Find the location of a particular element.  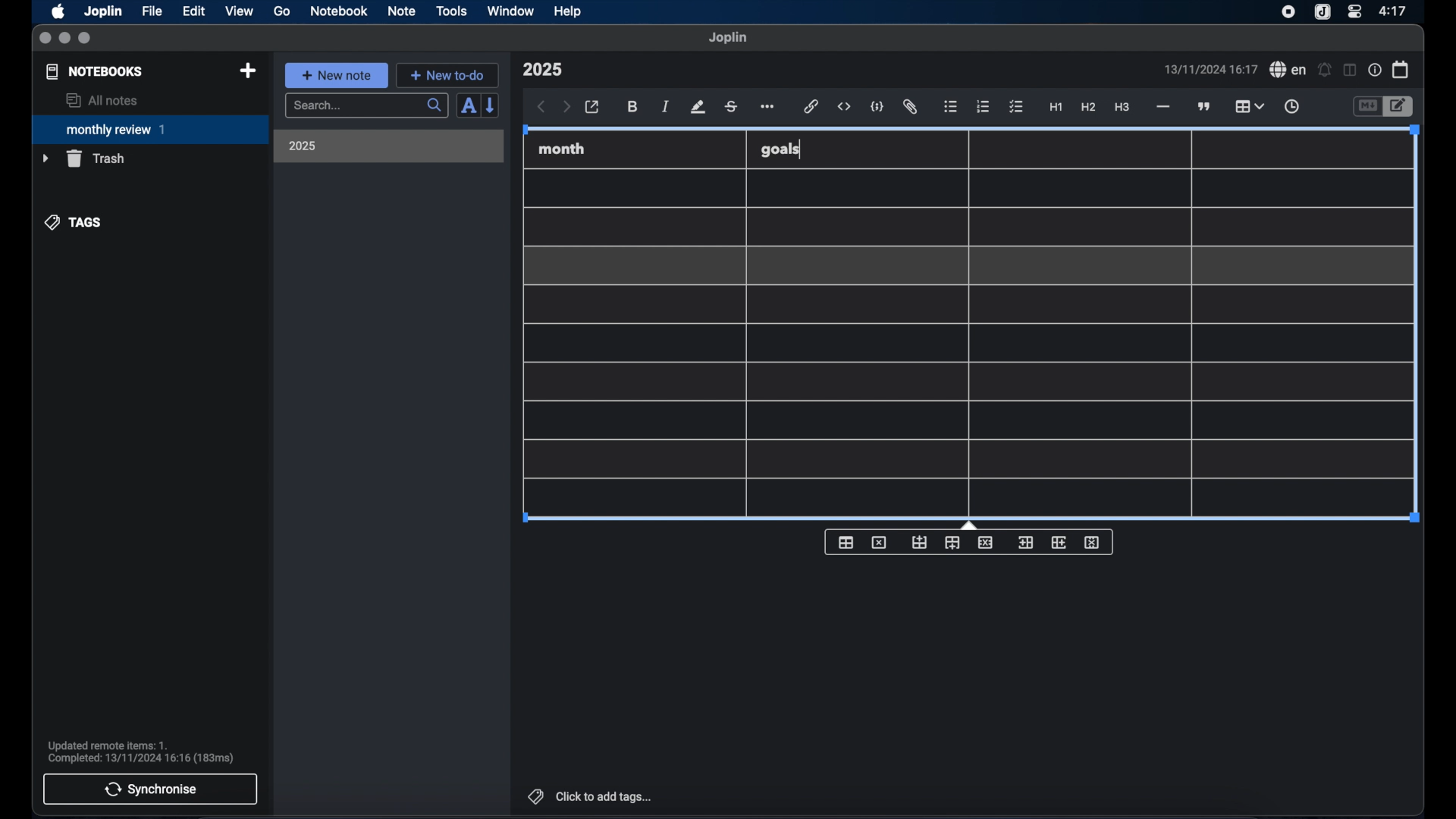

more options is located at coordinates (769, 108).